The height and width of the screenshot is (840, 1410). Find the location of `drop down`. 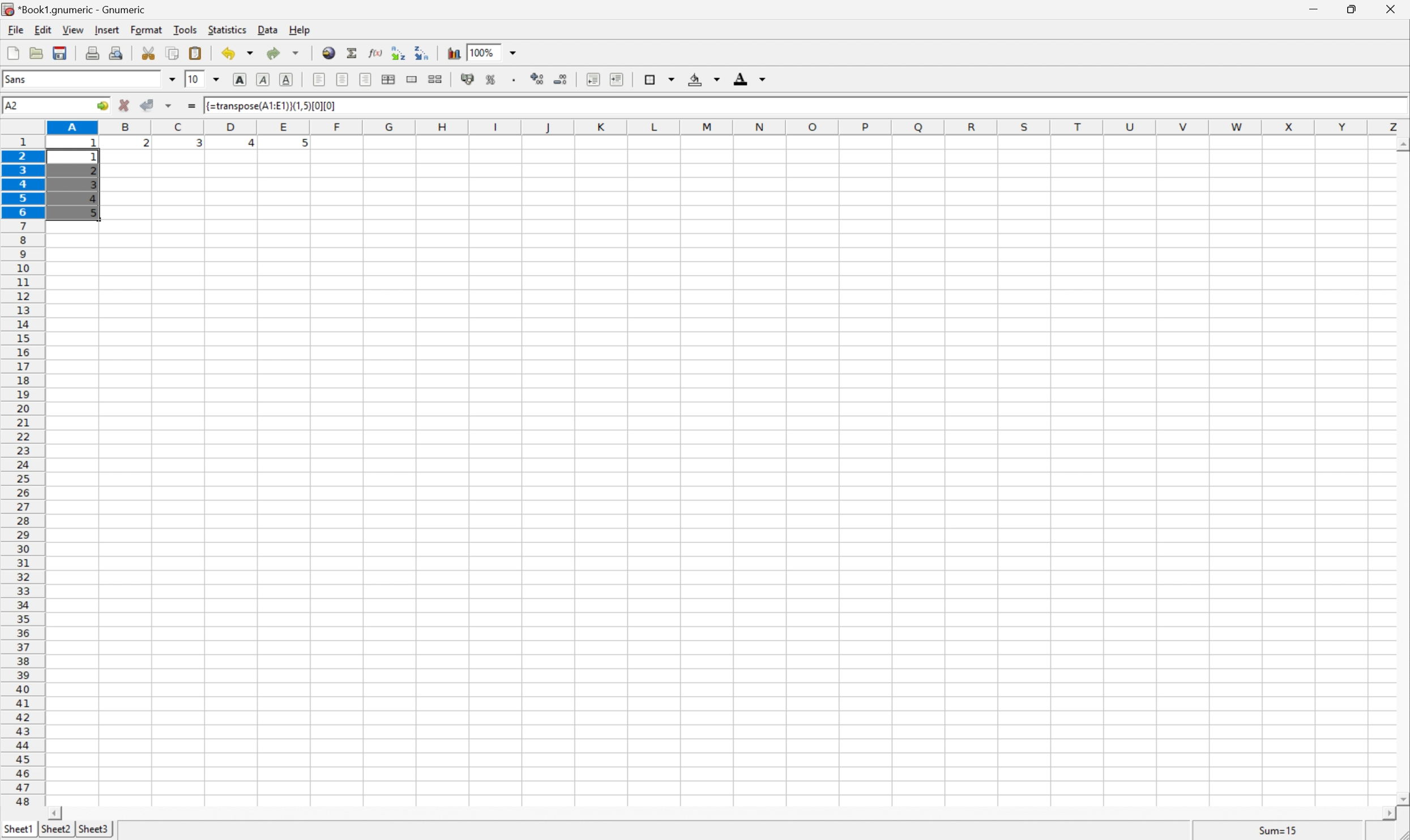

drop down is located at coordinates (216, 79).